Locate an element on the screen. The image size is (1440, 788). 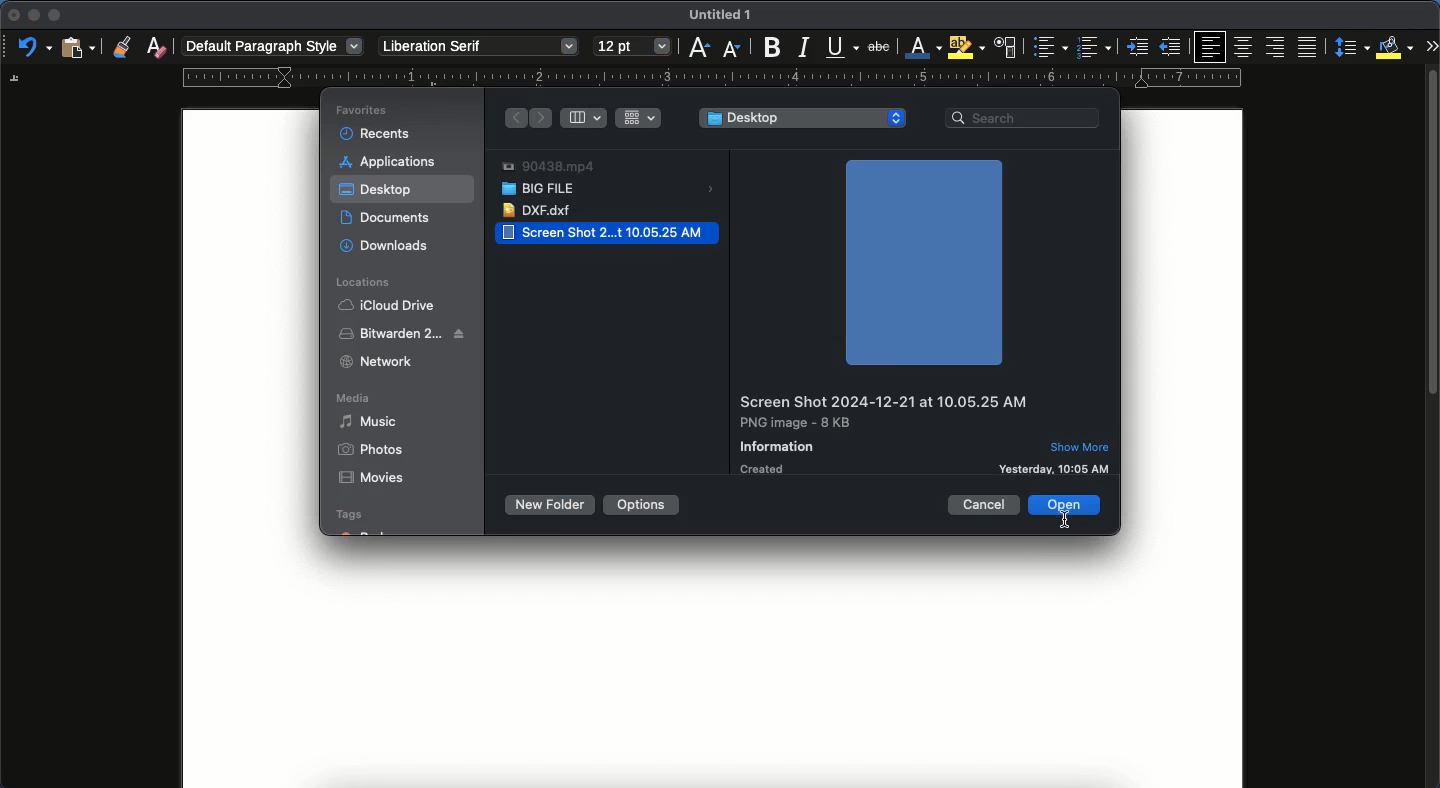
downloads  is located at coordinates (385, 246).